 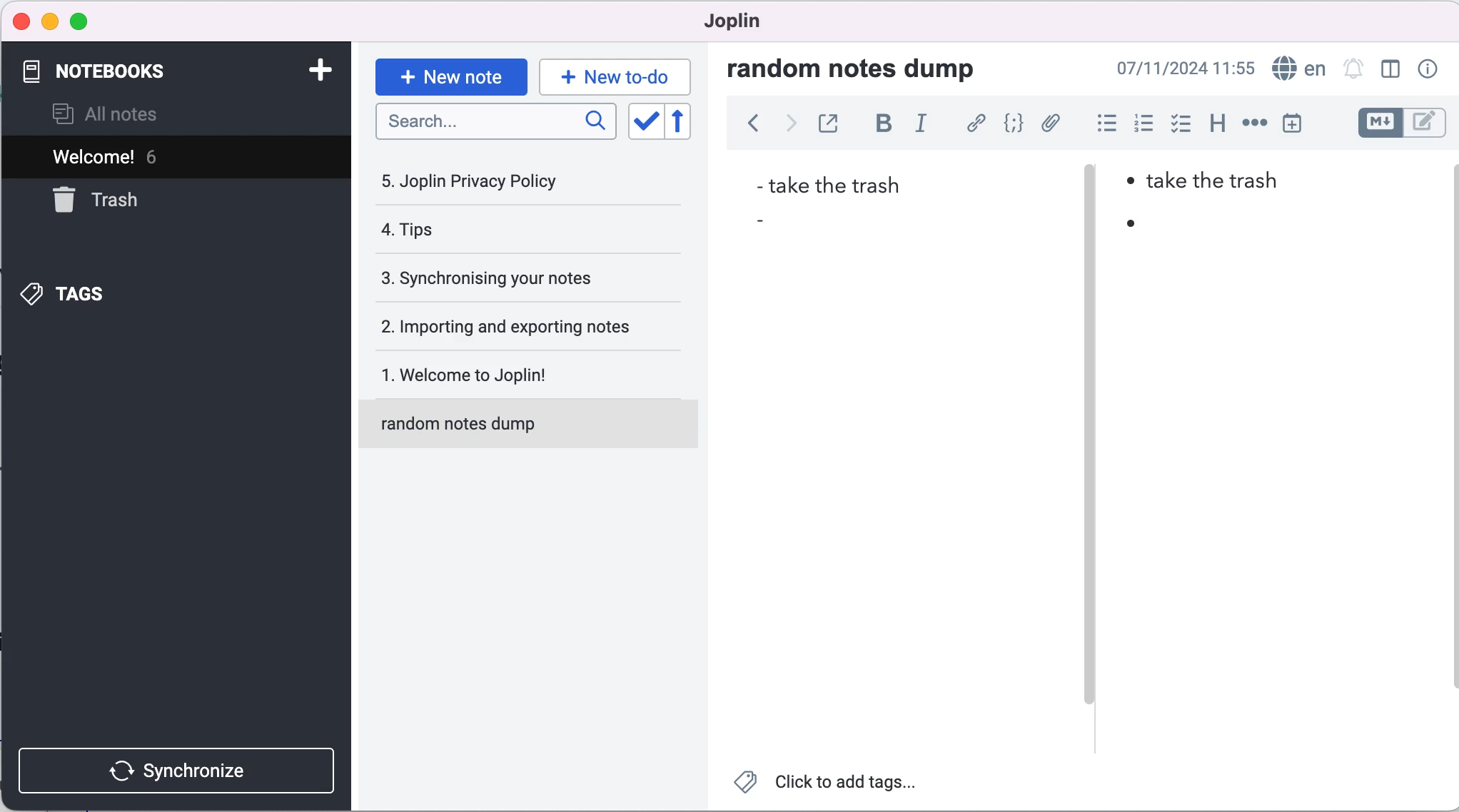 What do you see at coordinates (1426, 70) in the screenshot?
I see `note properties` at bounding box center [1426, 70].